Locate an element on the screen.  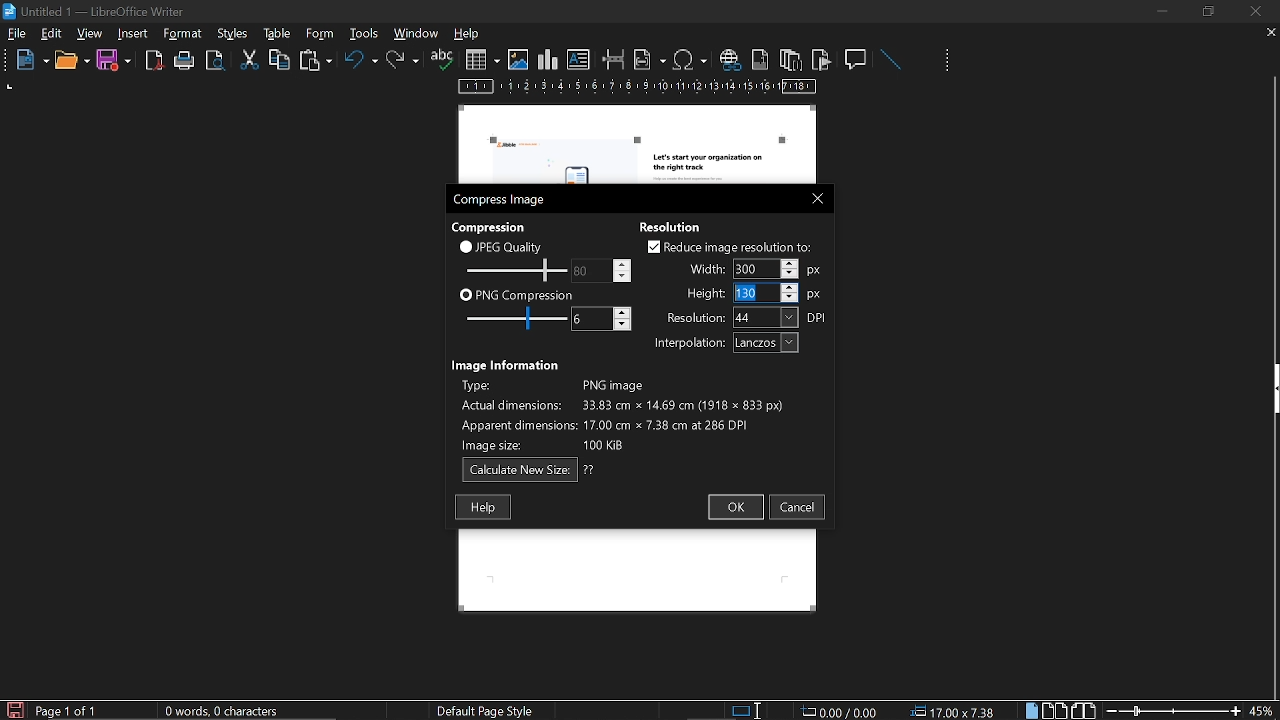
paste is located at coordinates (314, 62).